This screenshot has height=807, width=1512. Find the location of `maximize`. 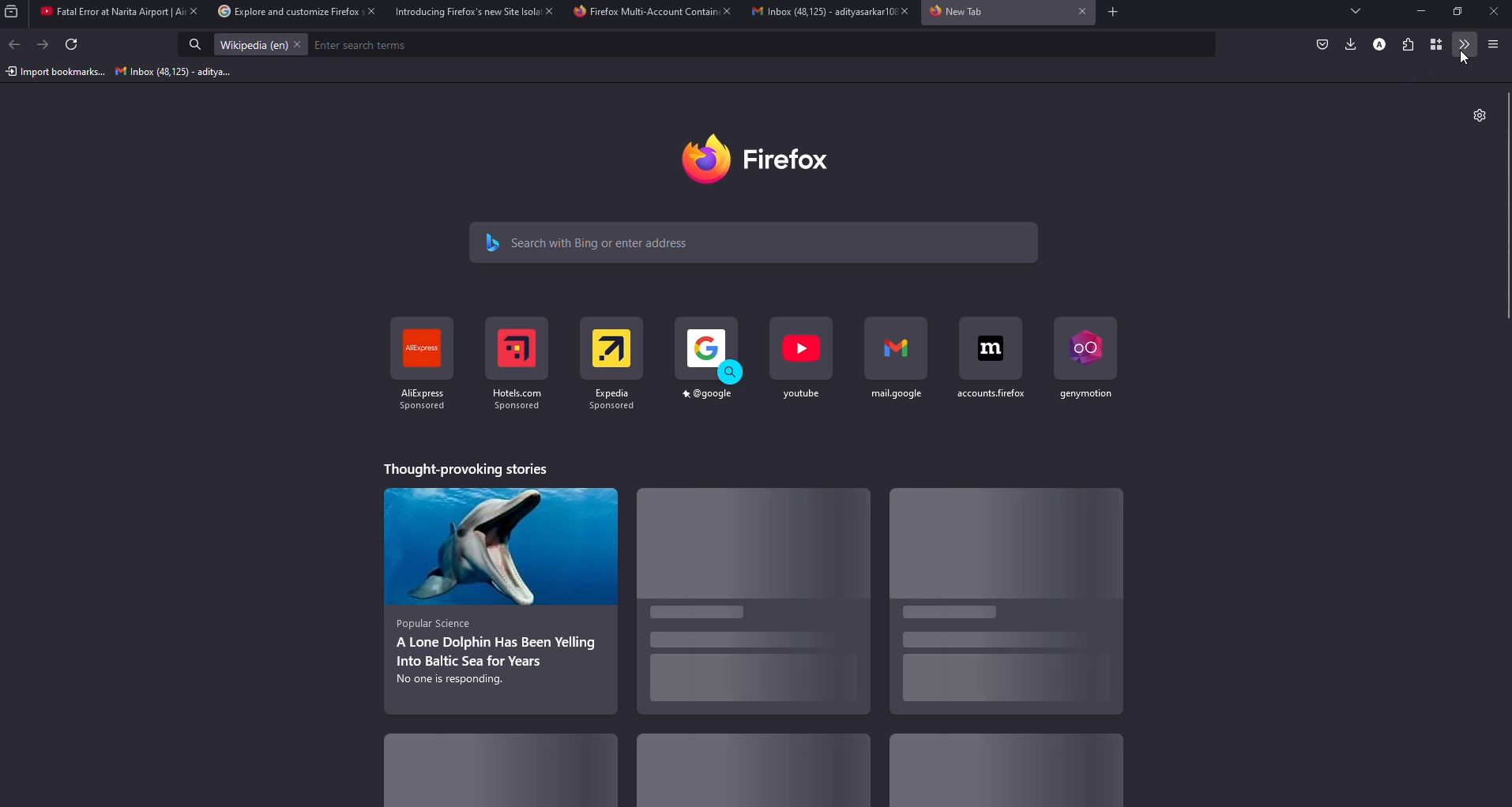

maximize is located at coordinates (1458, 12).